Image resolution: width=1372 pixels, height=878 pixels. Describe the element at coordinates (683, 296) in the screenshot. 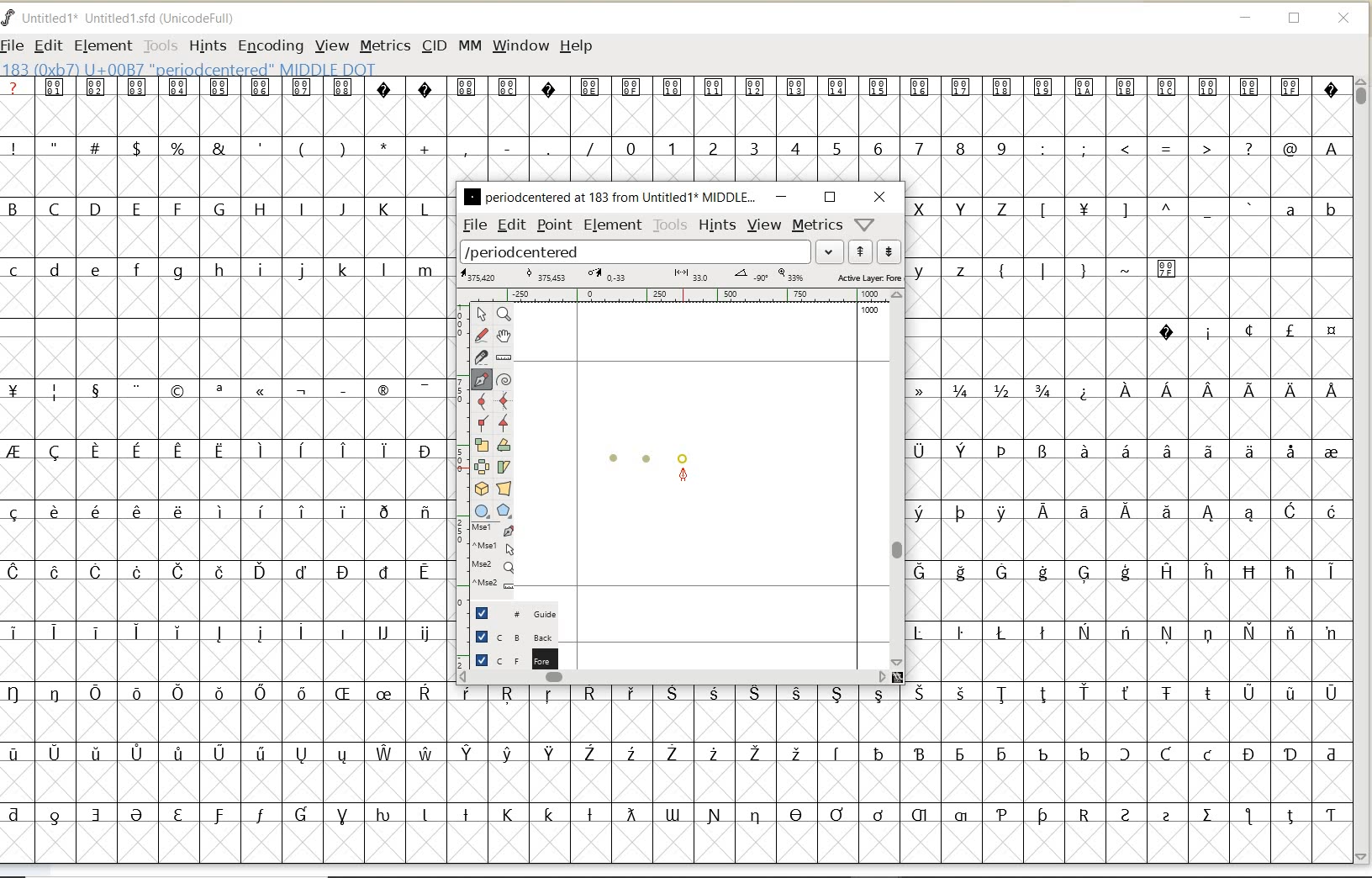

I see `ruler` at that location.